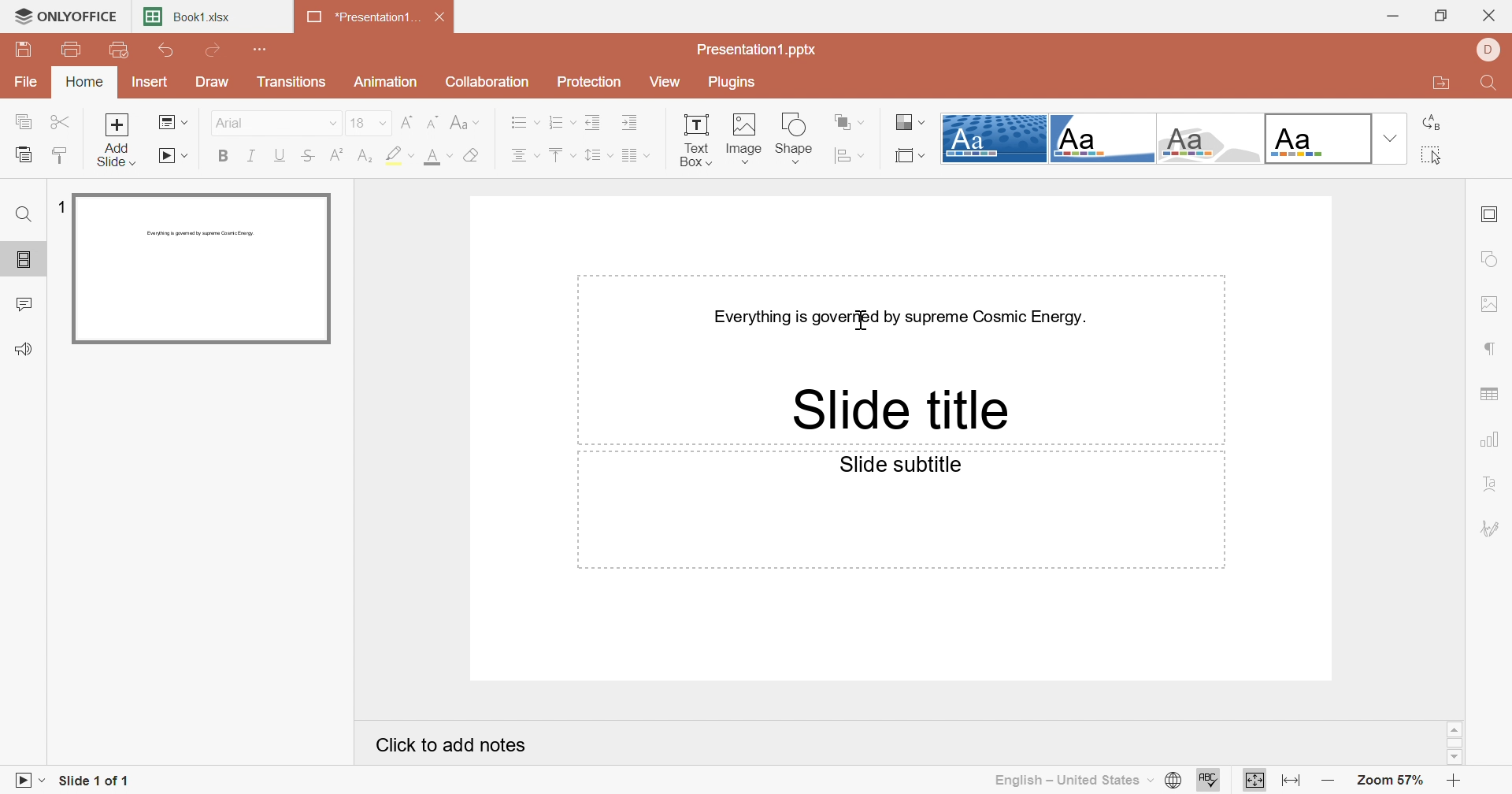  What do you see at coordinates (996, 139) in the screenshot?
I see `Dotted` at bounding box center [996, 139].